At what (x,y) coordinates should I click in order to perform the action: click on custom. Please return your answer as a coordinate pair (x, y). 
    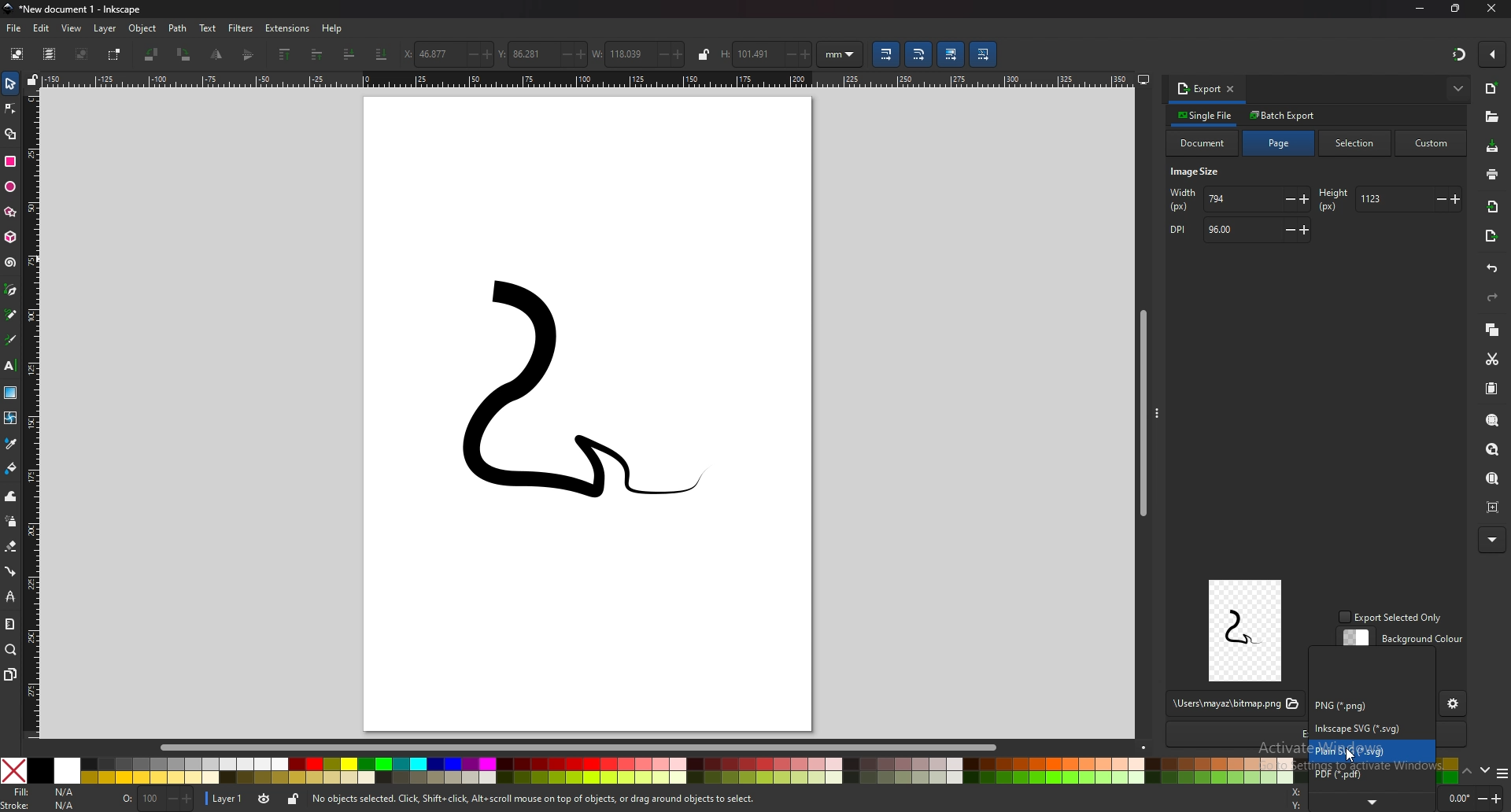
    Looking at the image, I should click on (1432, 144).